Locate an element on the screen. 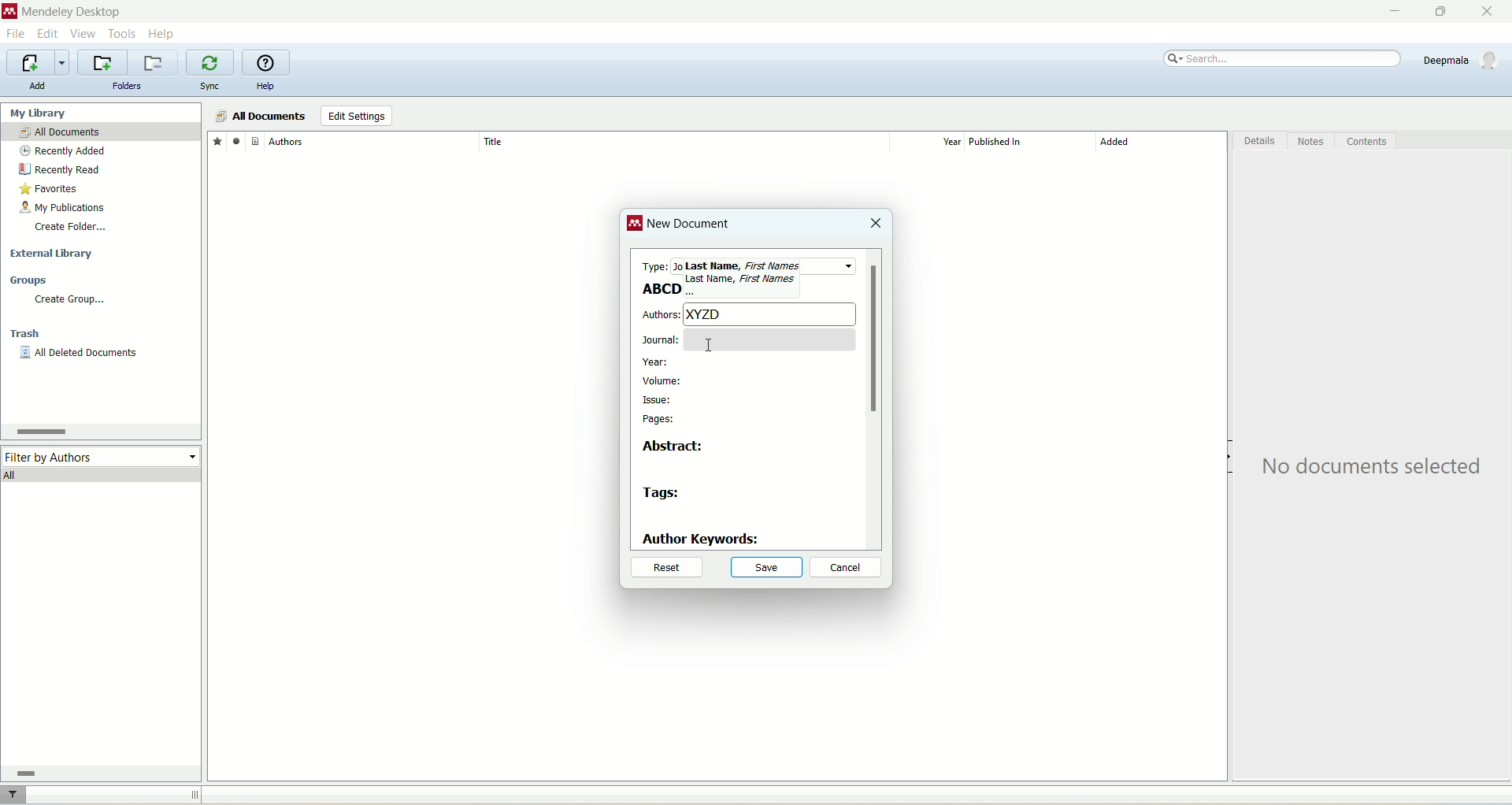 This screenshot has width=1512, height=805. year is located at coordinates (655, 363).